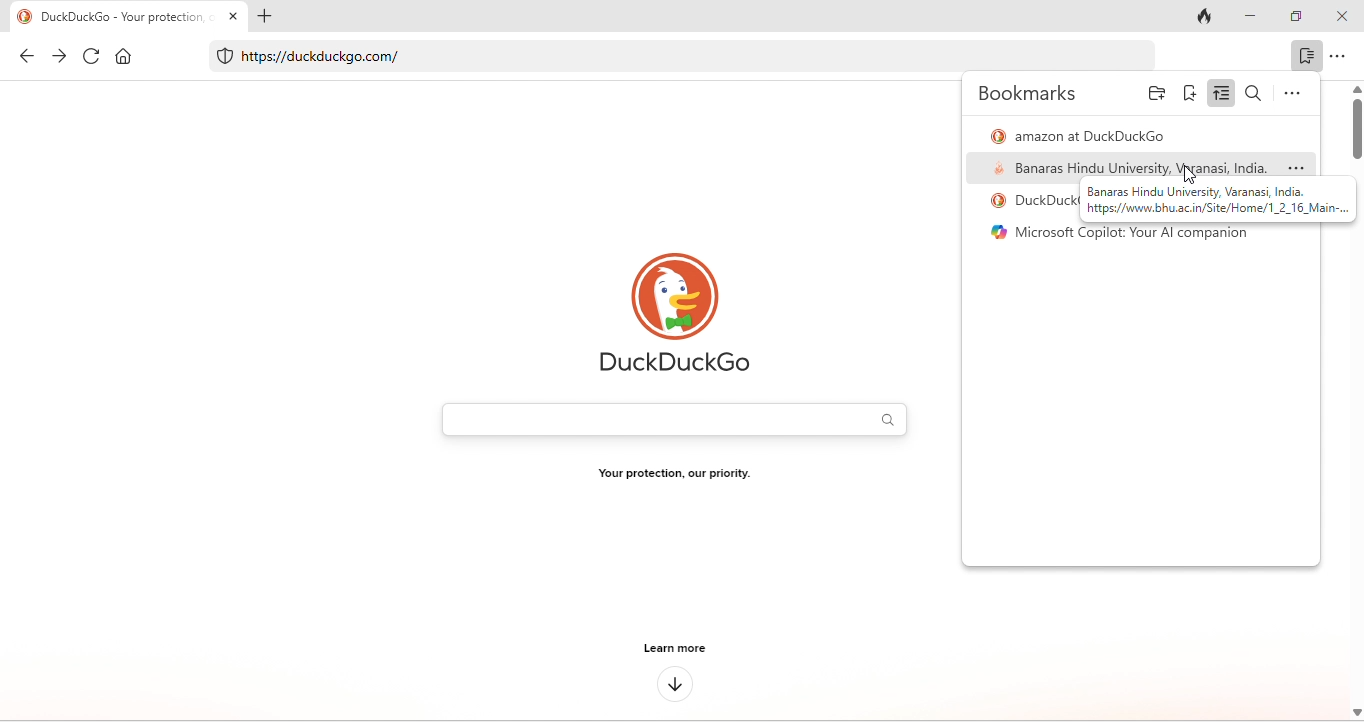 The width and height of the screenshot is (1364, 722). I want to click on back, so click(26, 55).